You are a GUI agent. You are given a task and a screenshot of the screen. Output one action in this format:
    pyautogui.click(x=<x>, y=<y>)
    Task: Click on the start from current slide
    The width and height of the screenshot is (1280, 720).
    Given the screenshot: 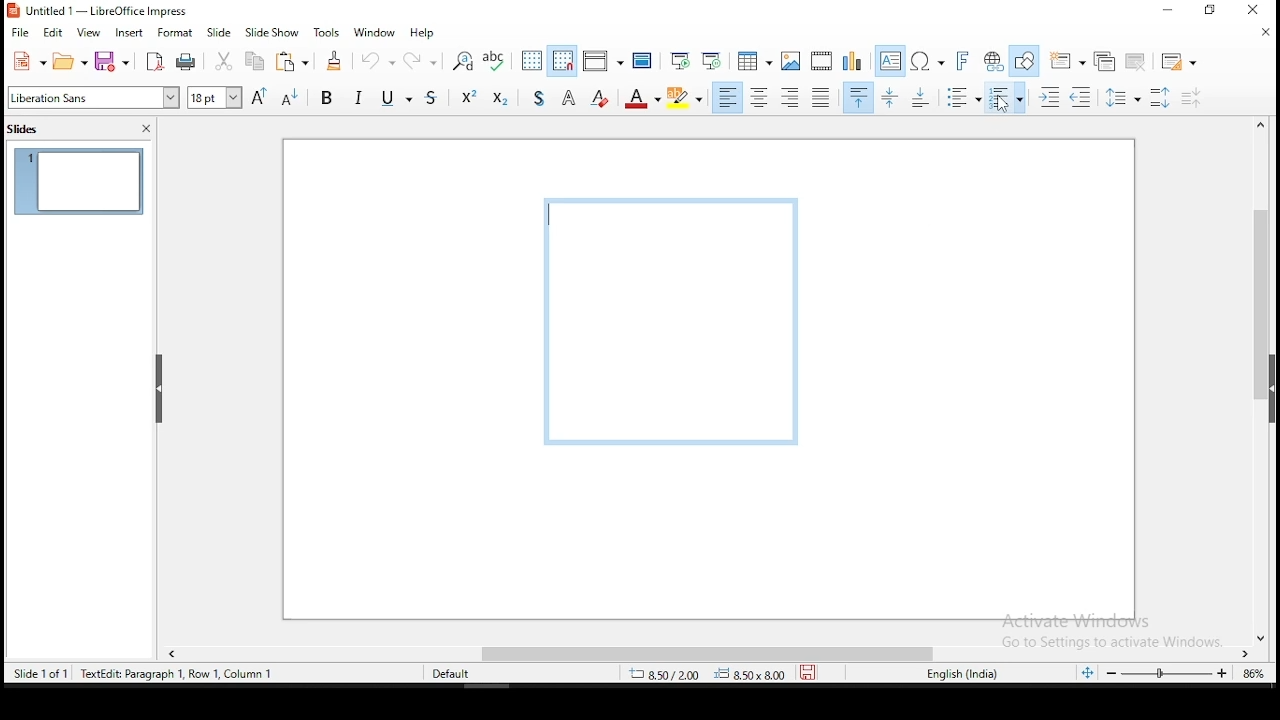 What is the action you would take?
    pyautogui.click(x=710, y=62)
    